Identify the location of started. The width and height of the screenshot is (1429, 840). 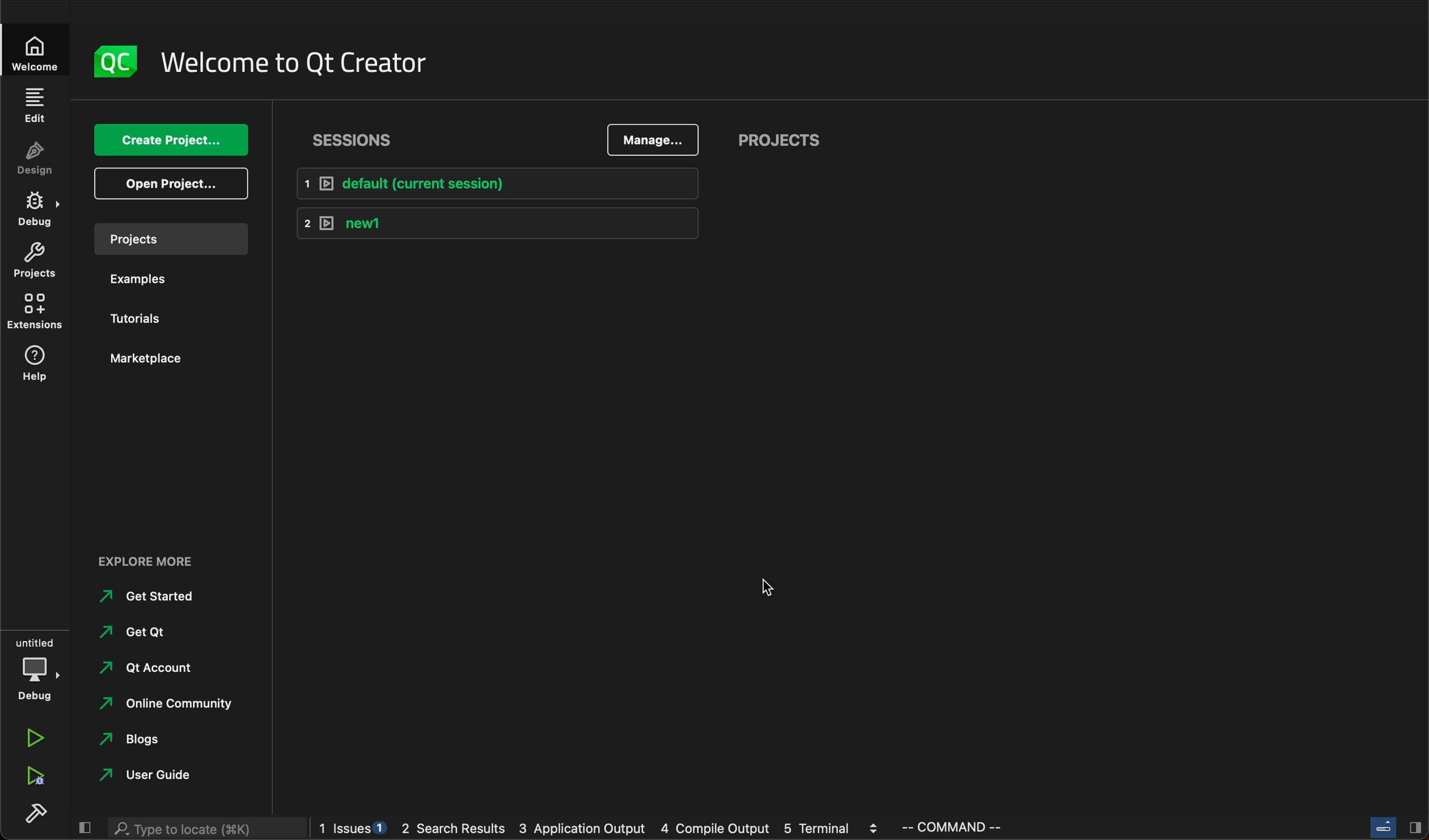
(154, 599).